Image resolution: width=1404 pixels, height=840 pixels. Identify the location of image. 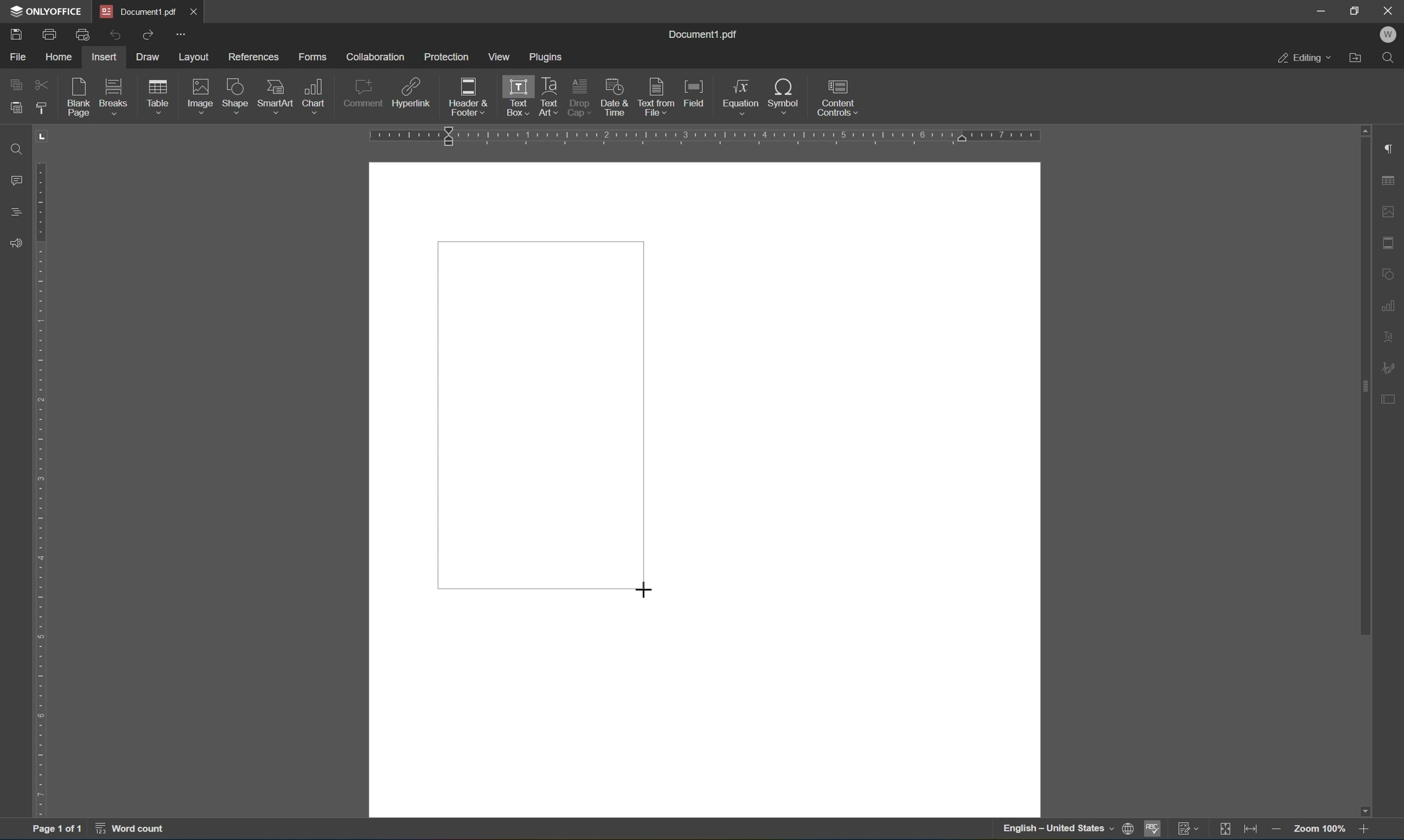
(202, 96).